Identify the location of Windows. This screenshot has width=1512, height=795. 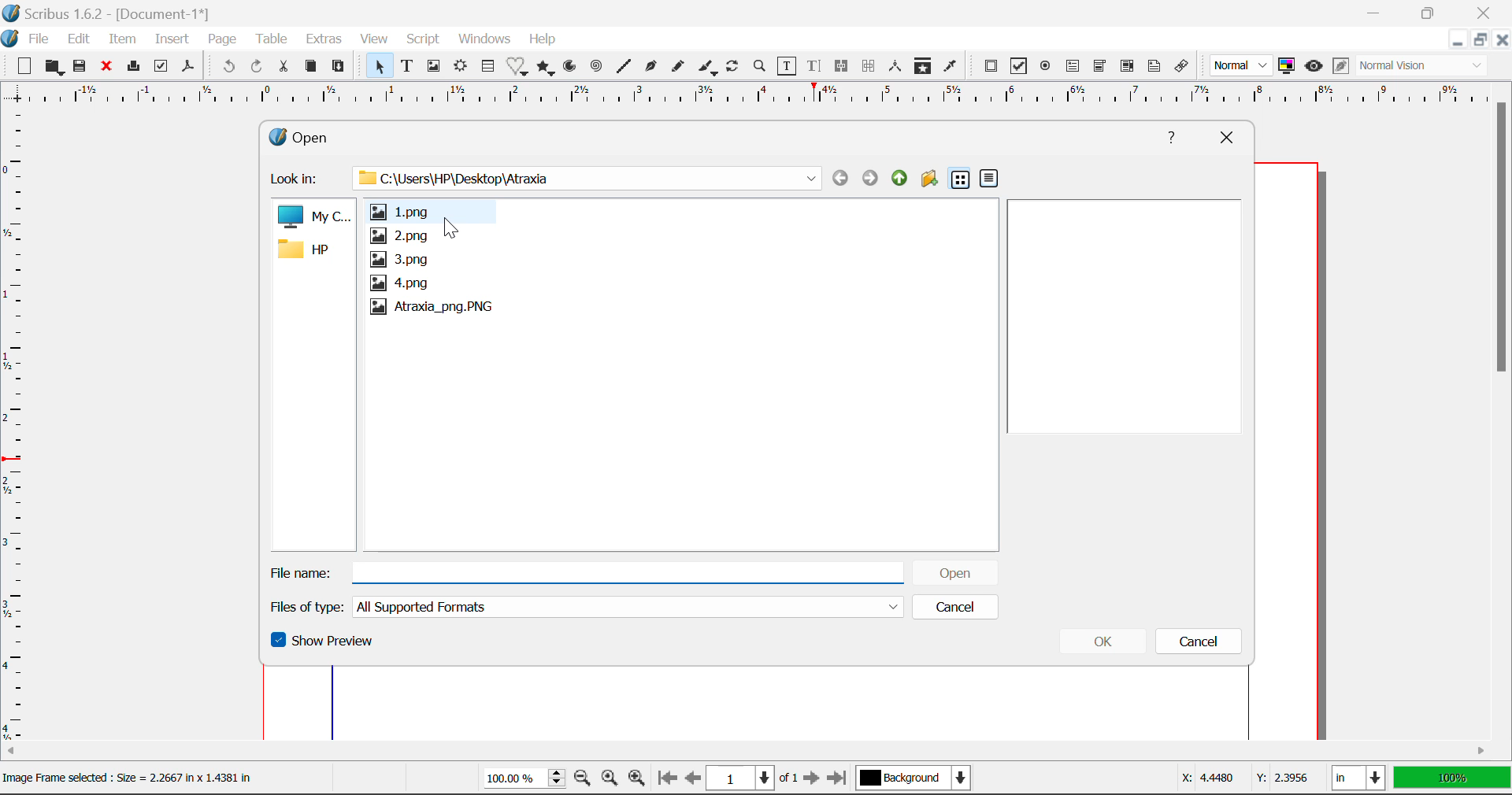
(485, 39).